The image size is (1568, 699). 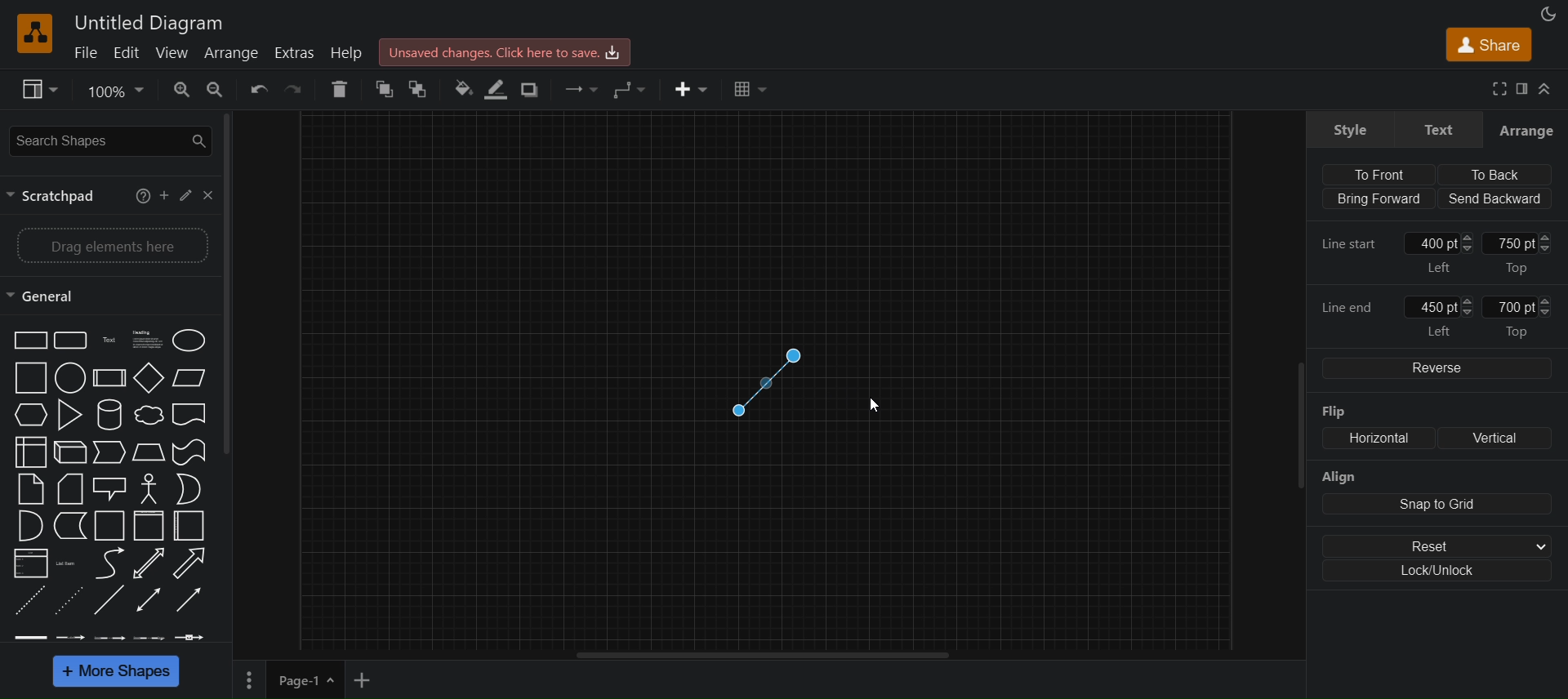 What do you see at coordinates (771, 655) in the screenshot?
I see `horizontal scroll bar` at bounding box center [771, 655].